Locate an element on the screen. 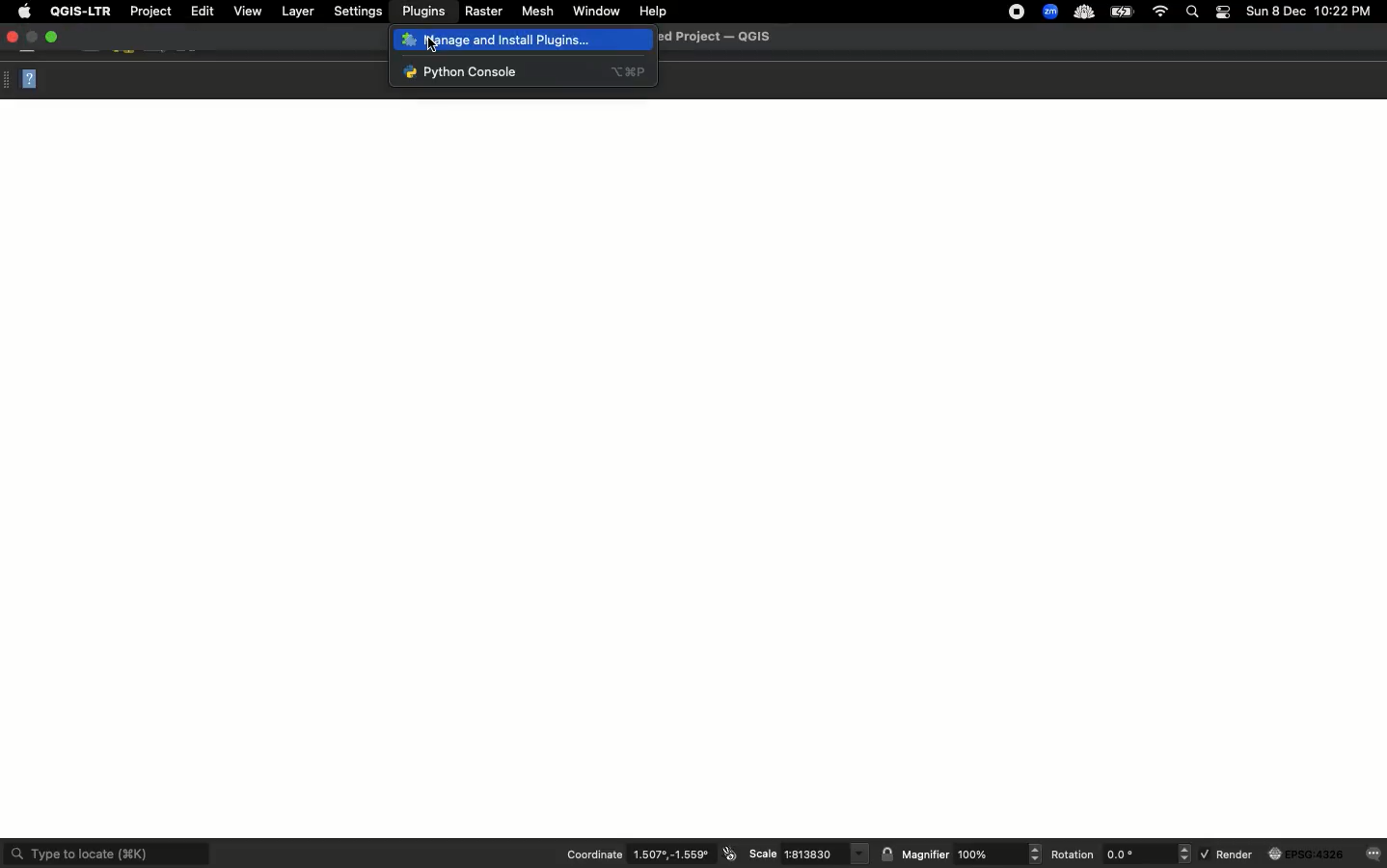 This screenshot has height=868, width=1387. Maximize is located at coordinates (51, 38).